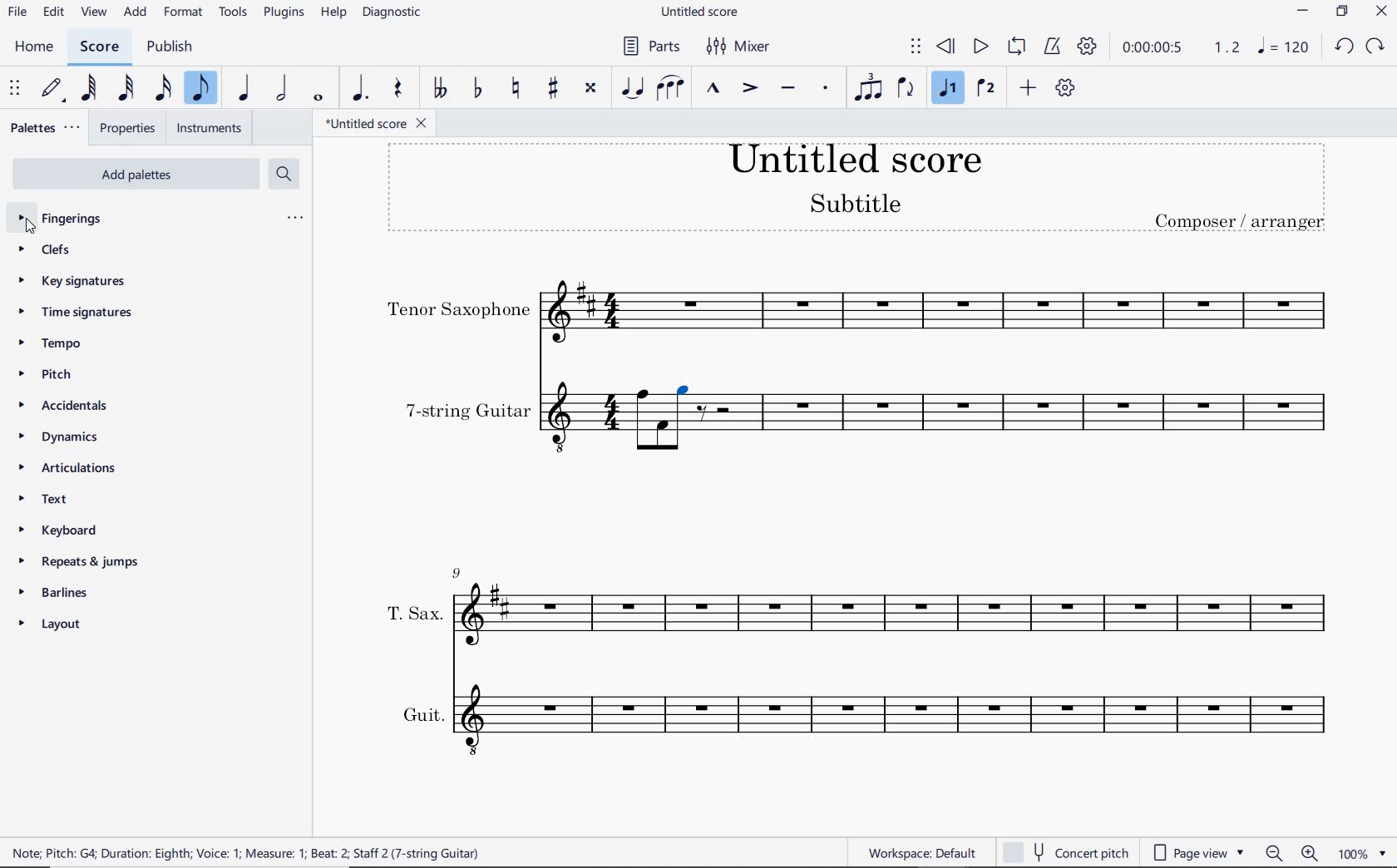 The image size is (1397, 868). What do you see at coordinates (1365, 852) in the screenshot?
I see `ZOOM FACTOR` at bounding box center [1365, 852].